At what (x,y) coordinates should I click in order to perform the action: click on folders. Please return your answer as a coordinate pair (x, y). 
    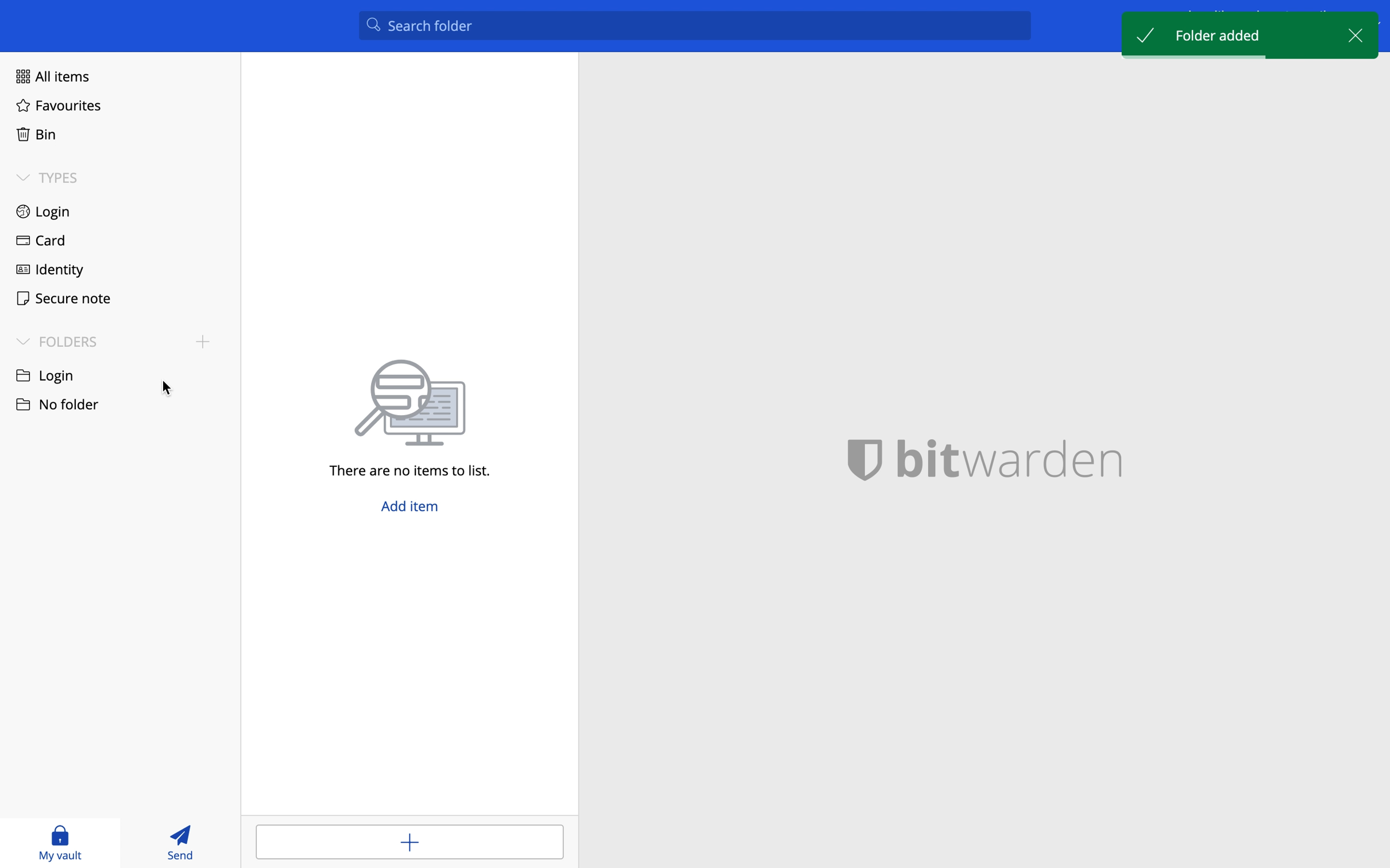
    Looking at the image, I should click on (57, 341).